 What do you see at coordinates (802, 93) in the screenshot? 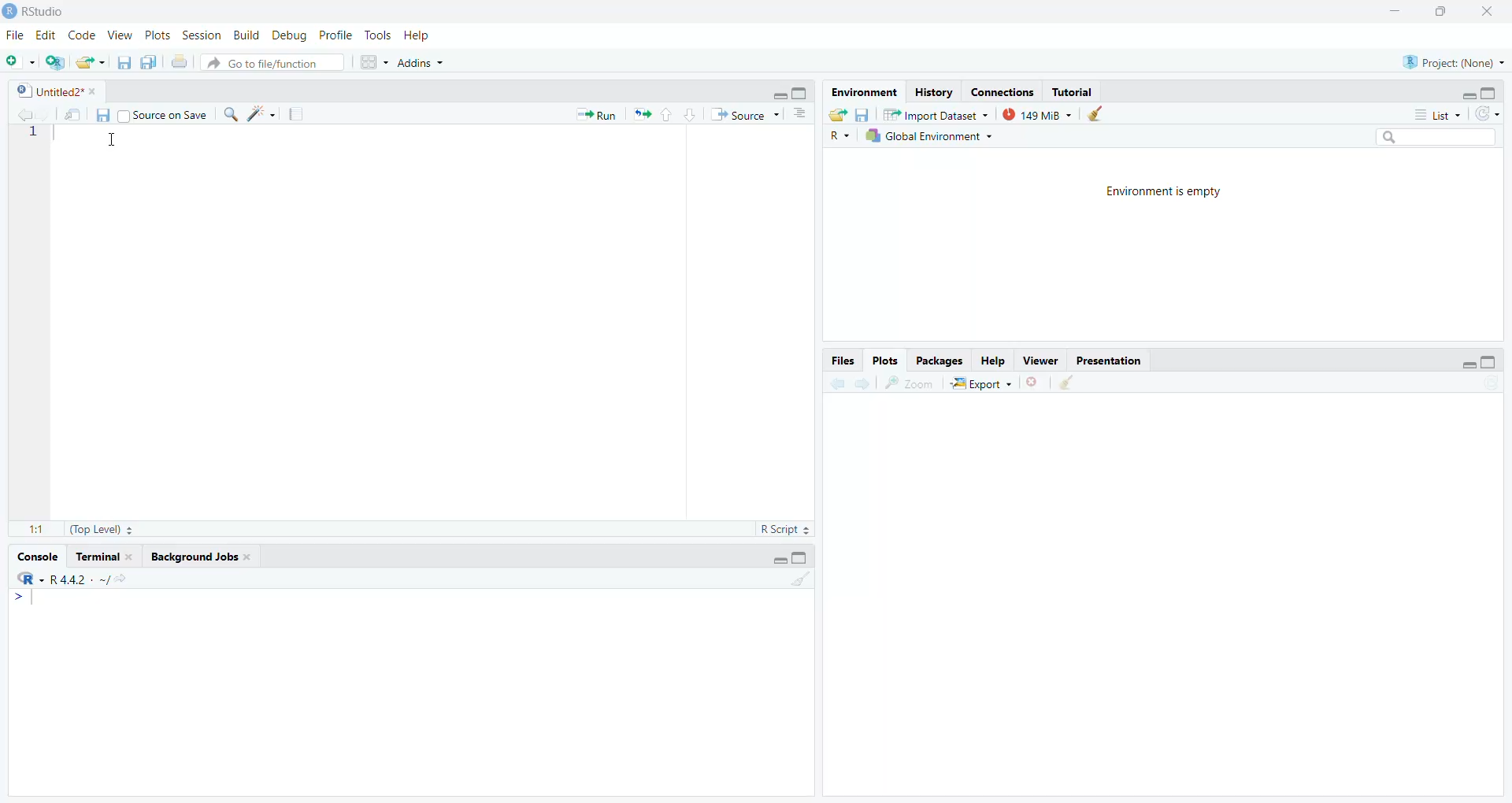
I see `Maximize` at bounding box center [802, 93].